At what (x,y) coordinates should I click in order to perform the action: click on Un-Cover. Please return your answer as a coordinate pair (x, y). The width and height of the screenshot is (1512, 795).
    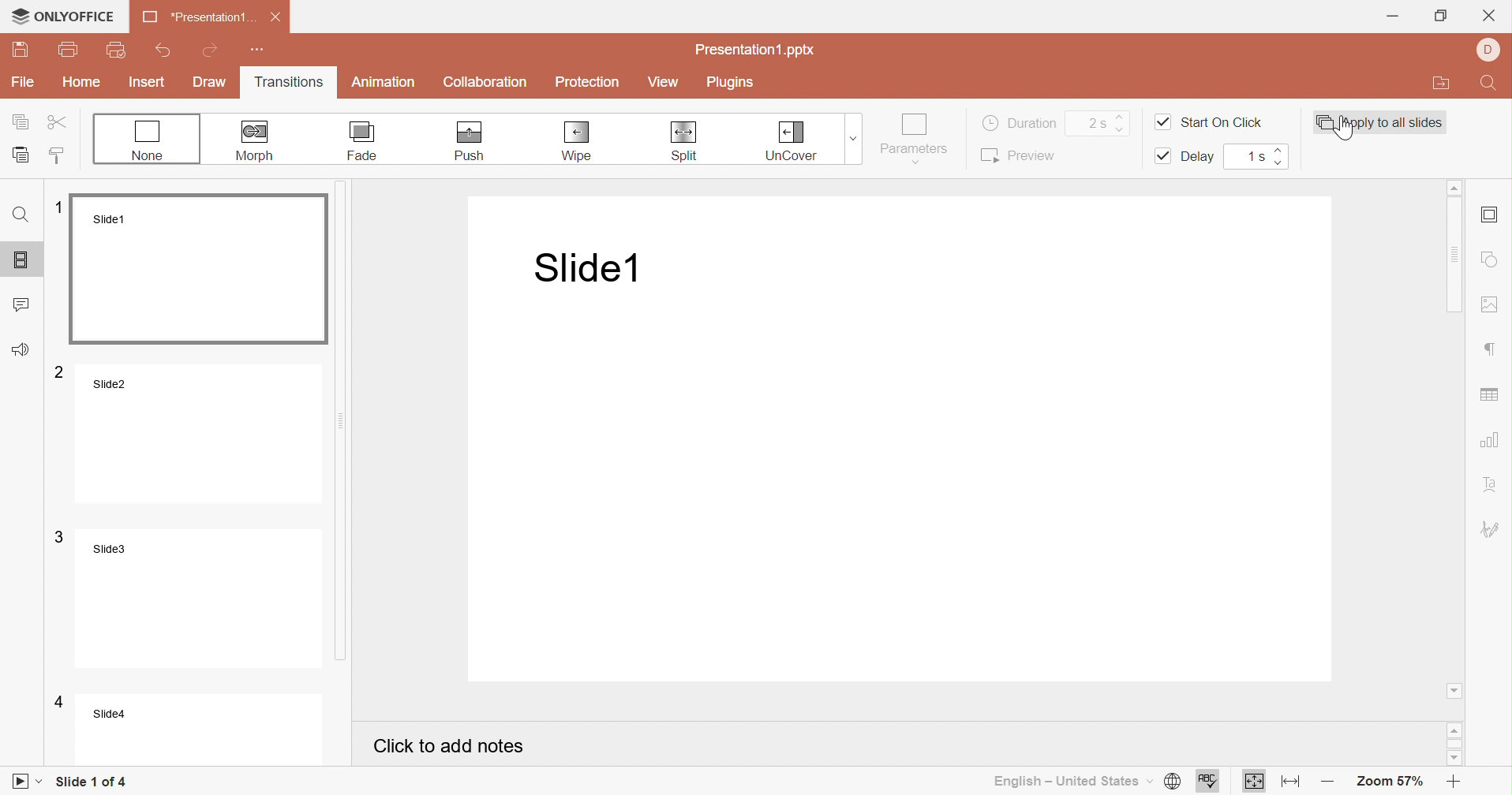
    Looking at the image, I should click on (791, 141).